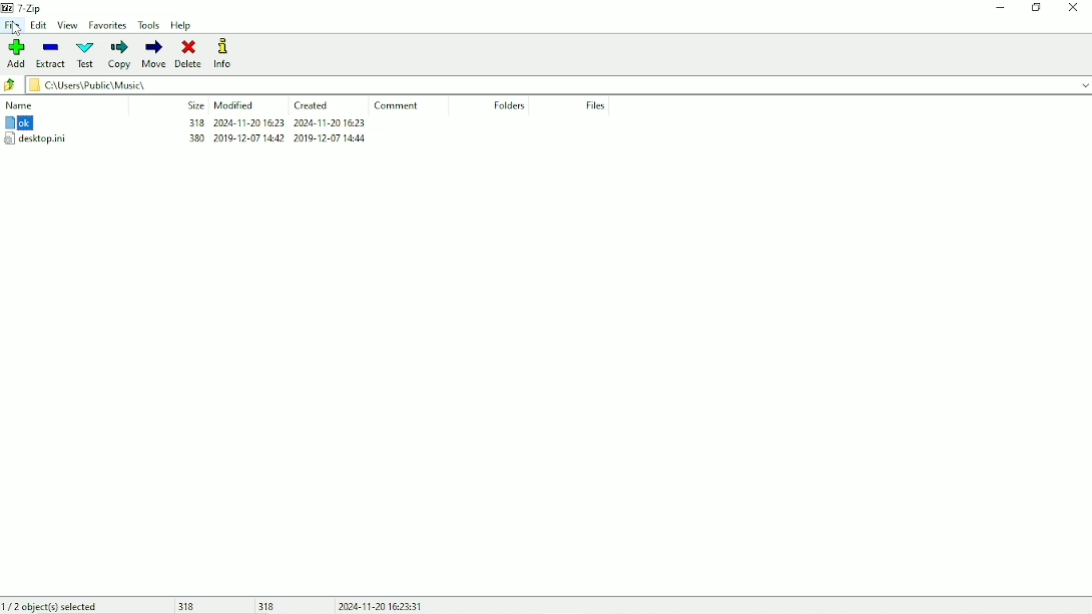 This screenshot has height=614, width=1092. I want to click on 318, so click(269, 605).